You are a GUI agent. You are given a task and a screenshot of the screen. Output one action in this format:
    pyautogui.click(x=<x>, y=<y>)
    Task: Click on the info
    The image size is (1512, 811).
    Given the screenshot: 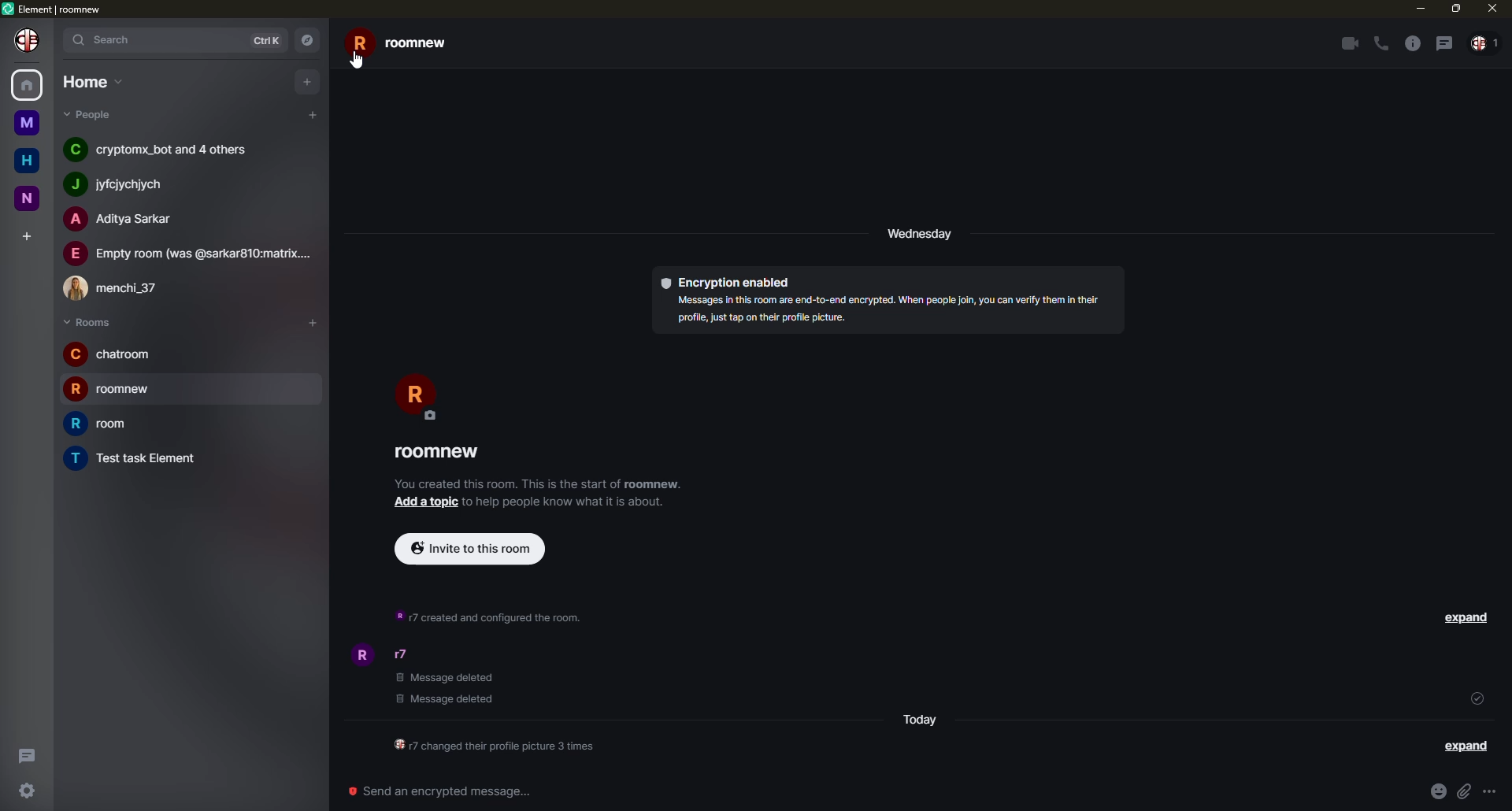 What is the action you would take?
    pyautogui.click(x=1496, y=791)
    